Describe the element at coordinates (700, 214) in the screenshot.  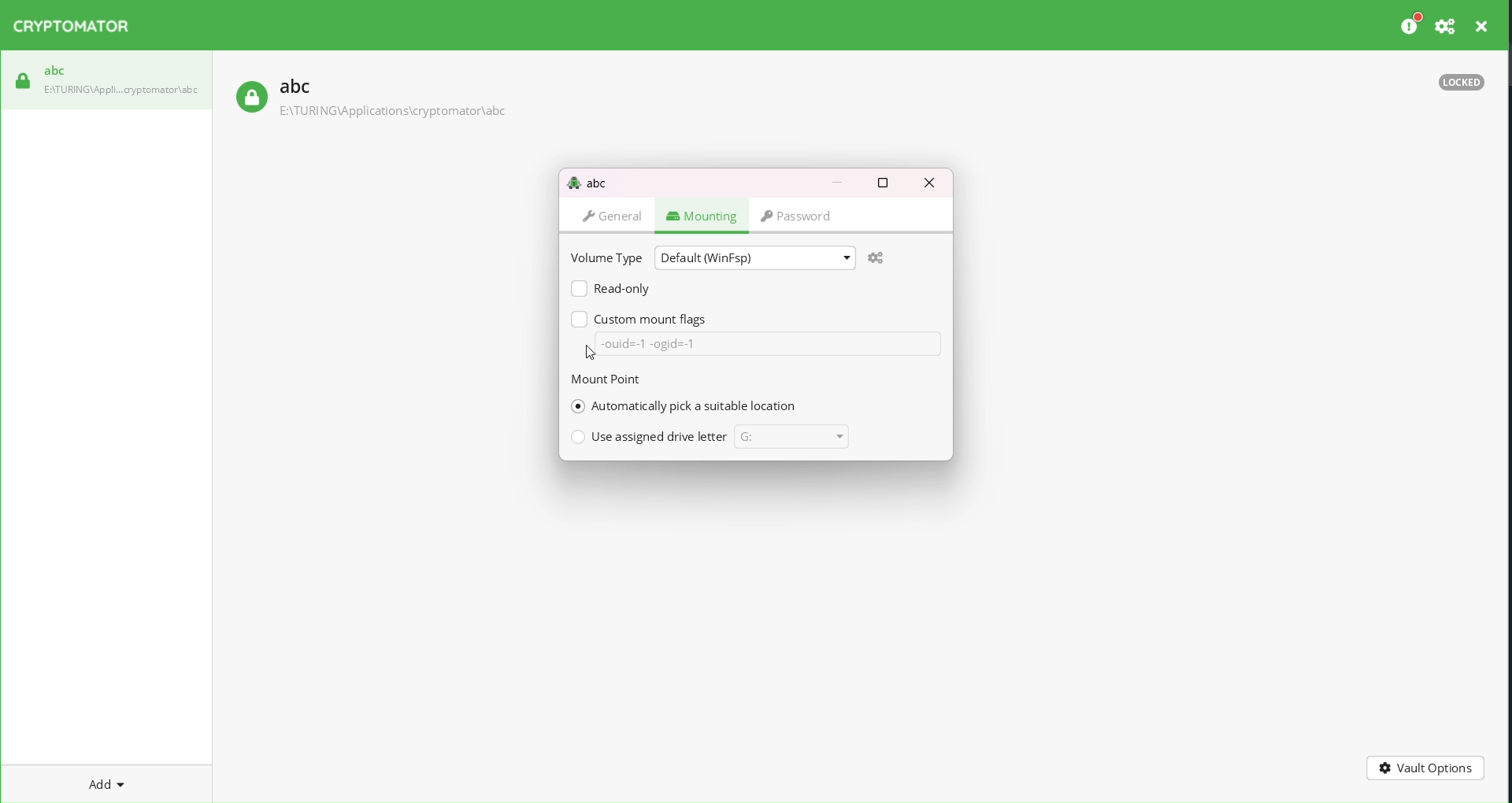
I see `mounting` at that location.